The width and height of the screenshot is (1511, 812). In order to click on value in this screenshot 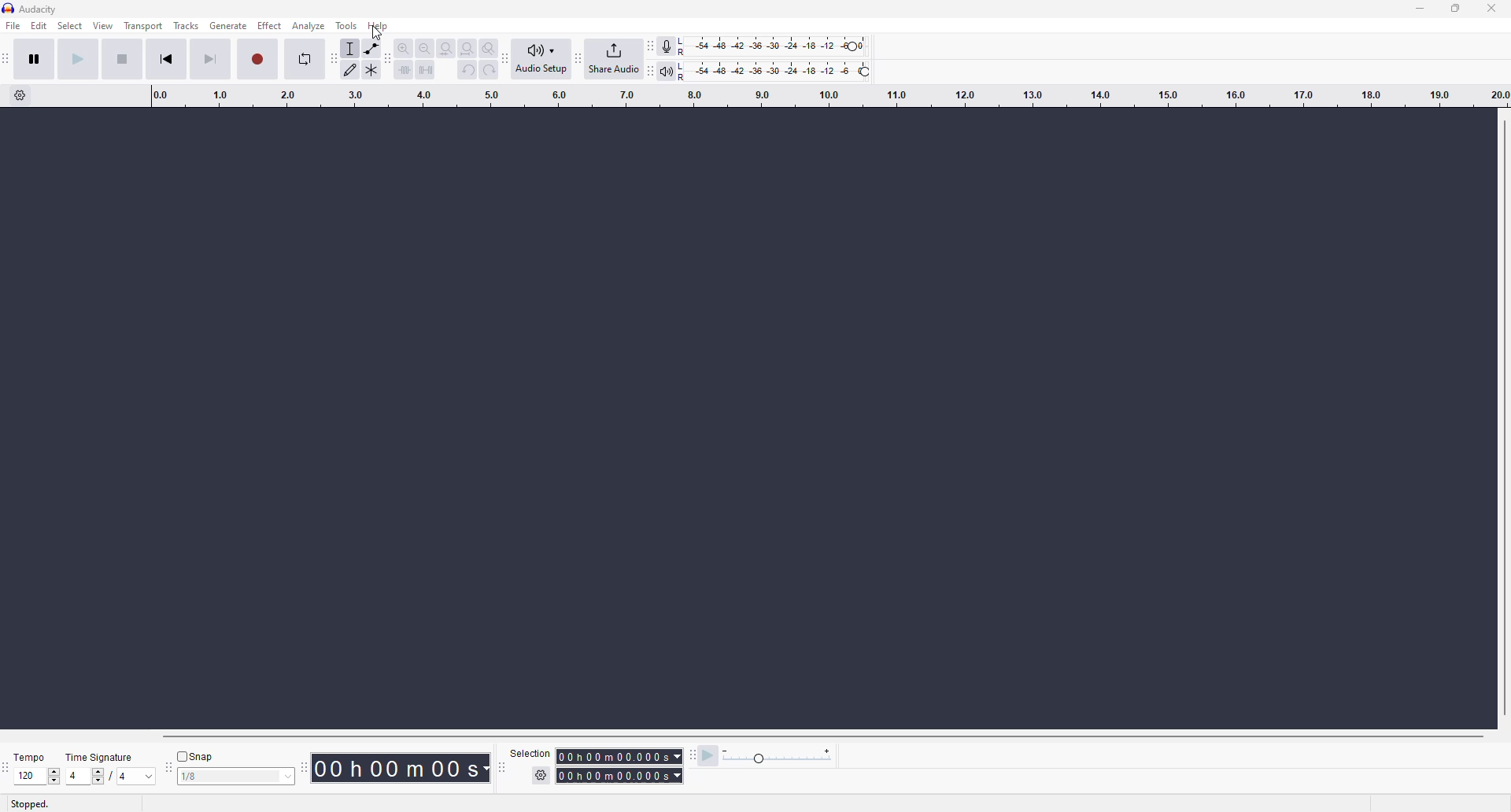, I will do `click(227, 776)`.